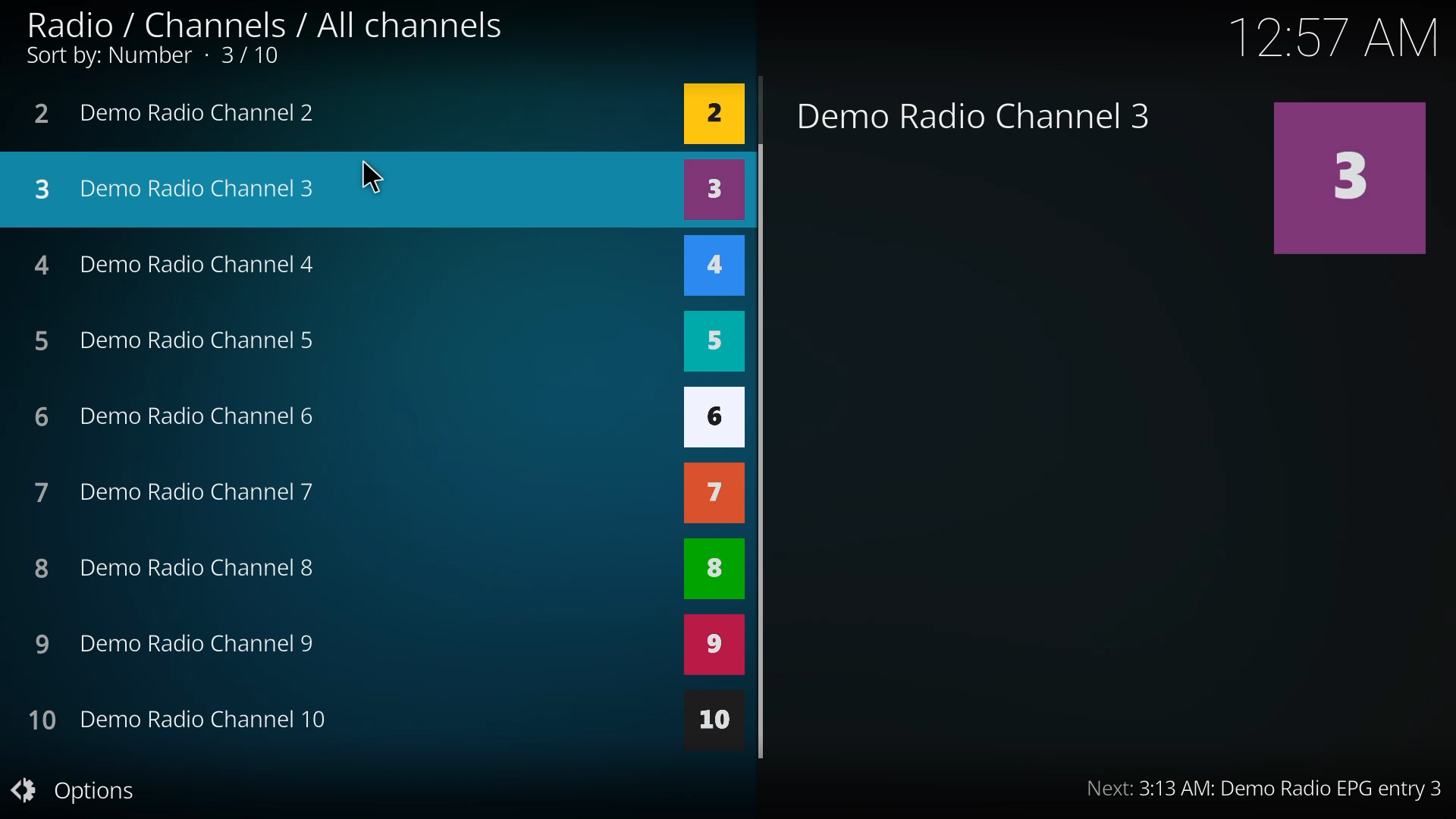 The image size is (1456, 819). I want to click on cursor, so click(761, 450).